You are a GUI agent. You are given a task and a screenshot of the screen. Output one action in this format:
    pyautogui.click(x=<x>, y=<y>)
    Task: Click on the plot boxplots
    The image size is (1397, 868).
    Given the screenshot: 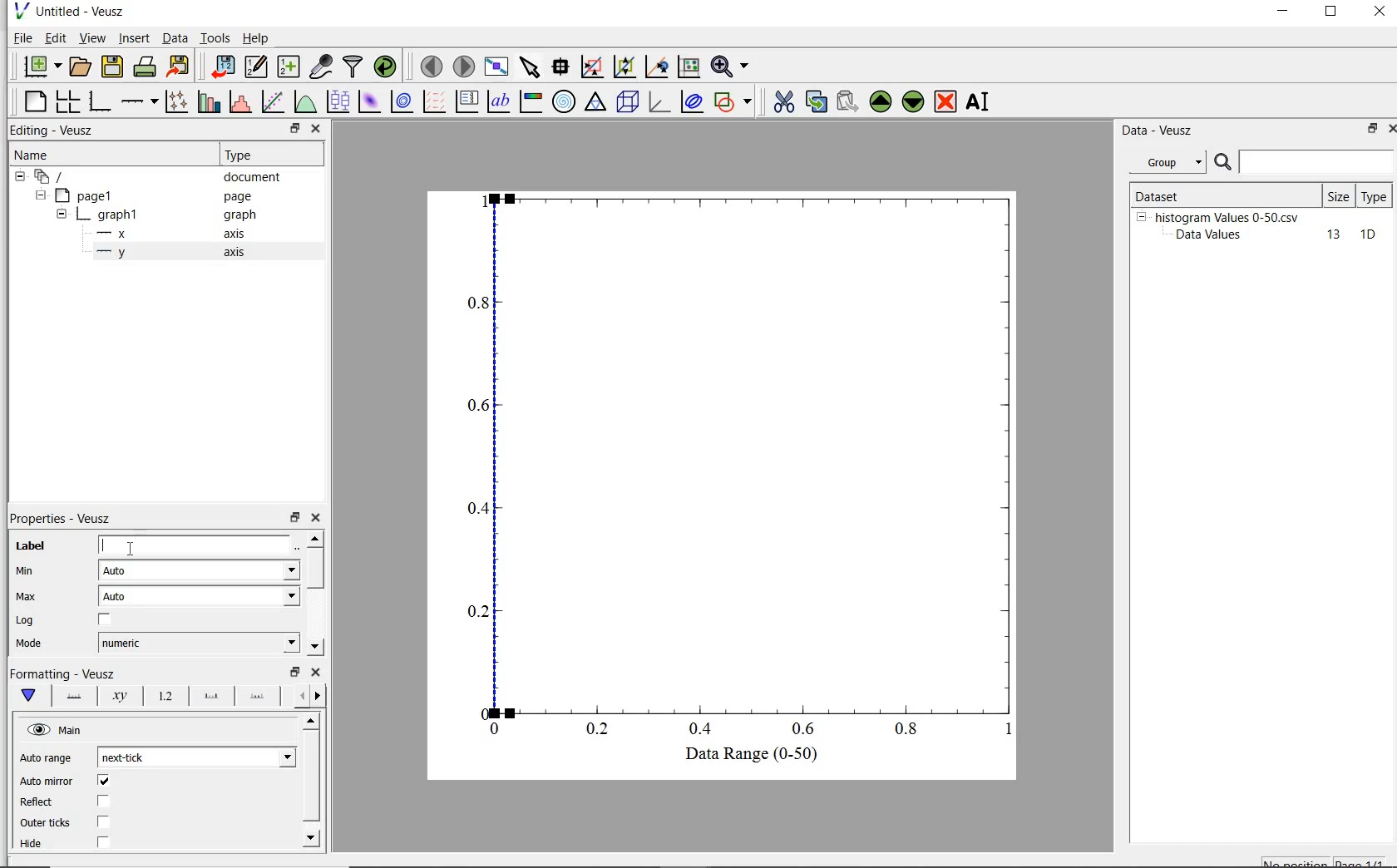 What is the action you would take?
    pyautogui.click(x=338, y=101)
    